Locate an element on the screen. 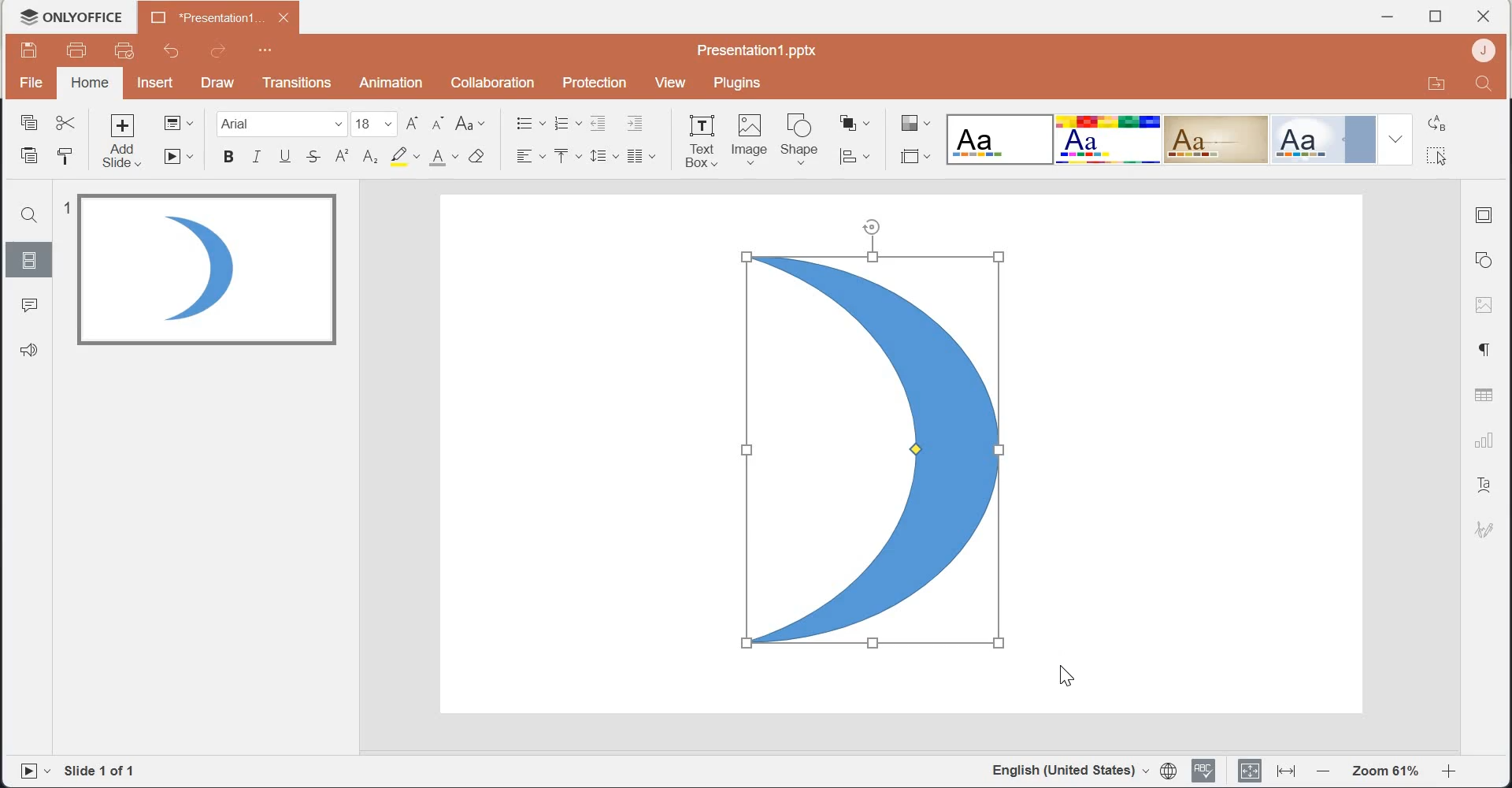  Zoom out is located at coordinates (1322, 772).